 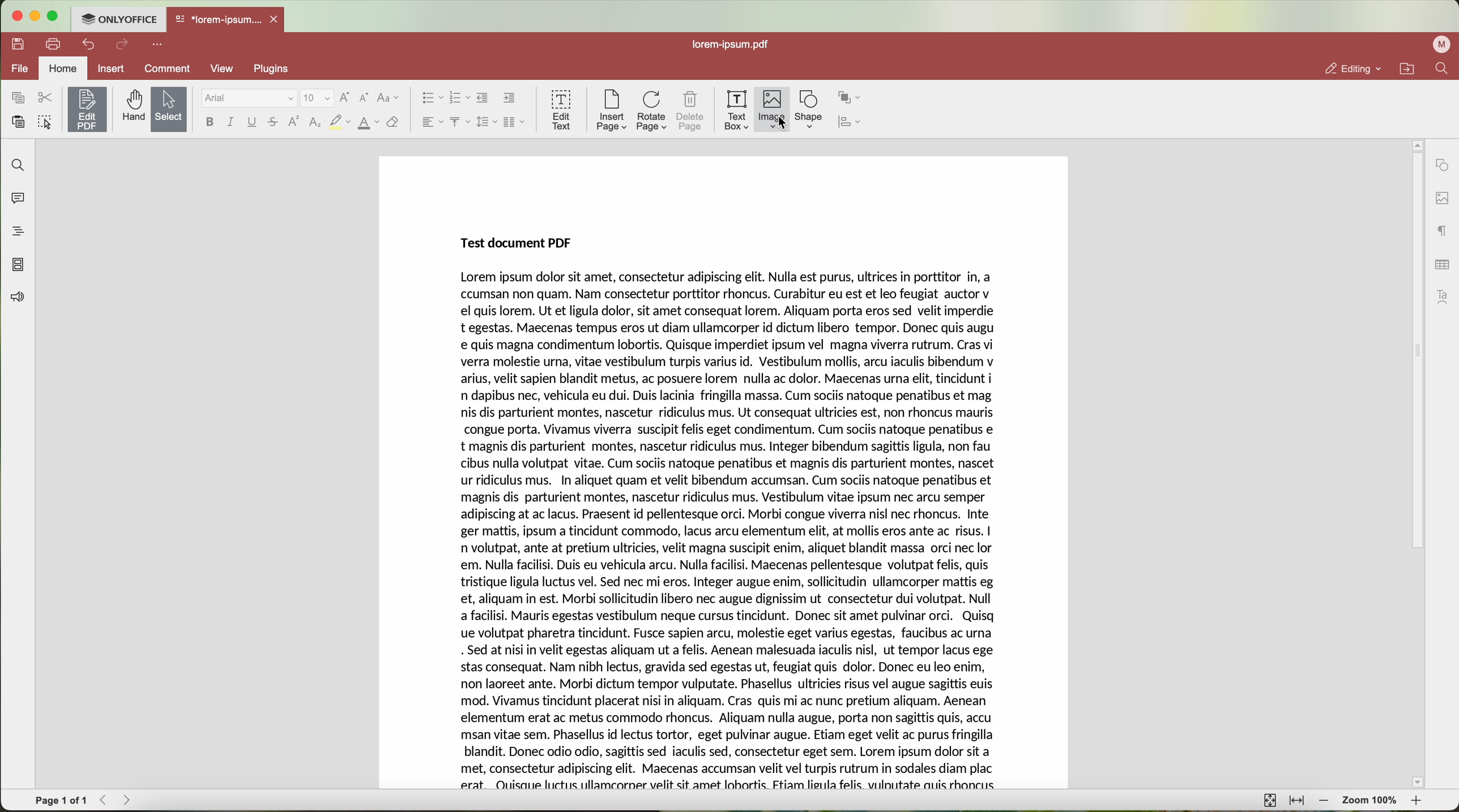 What do you see at coordinates (809, 110) in the screenshot?
I see `shape` at bounding box center [809, 110].